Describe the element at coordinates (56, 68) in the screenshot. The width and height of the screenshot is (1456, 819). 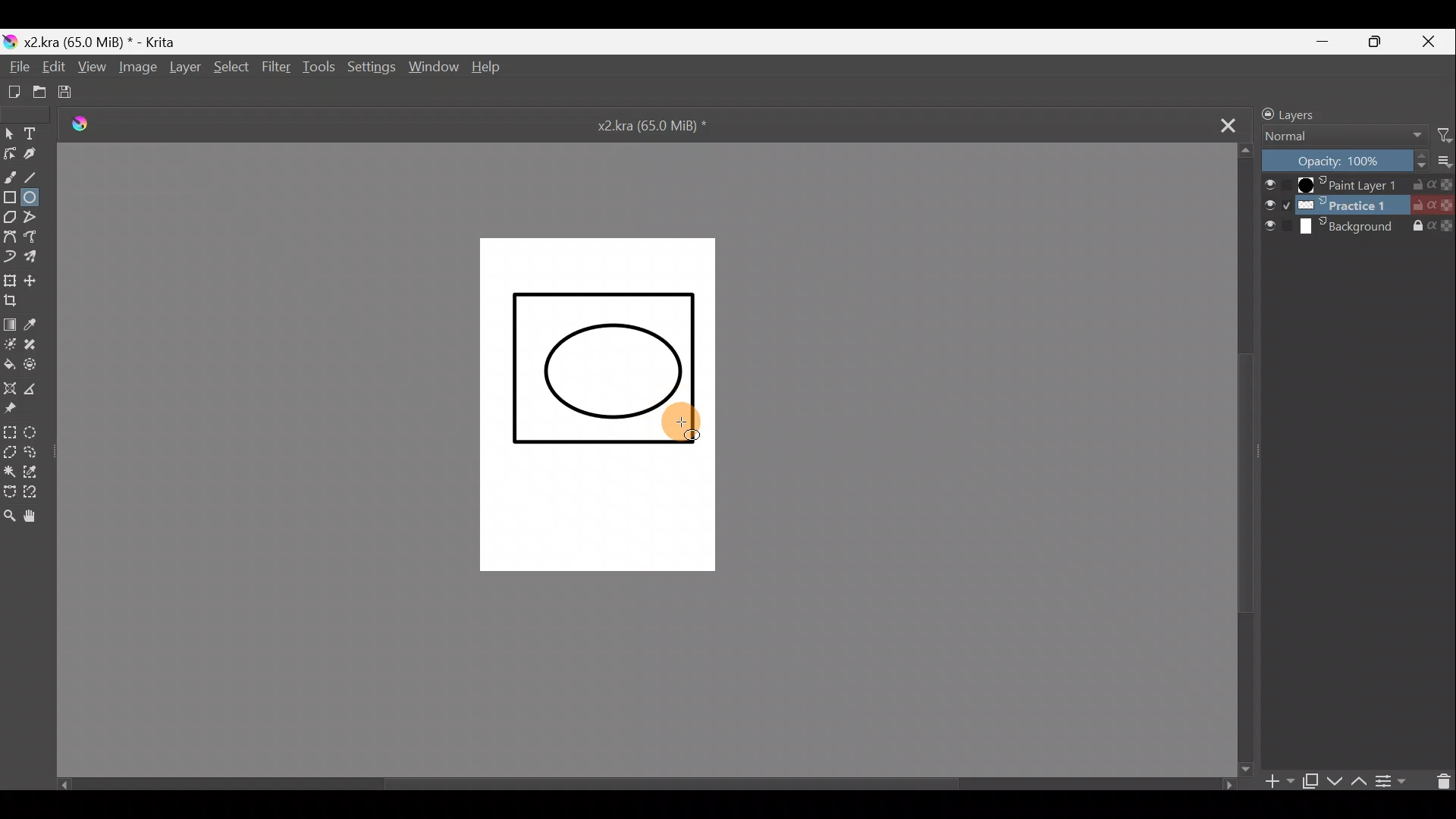
I see `Edit` at that location.